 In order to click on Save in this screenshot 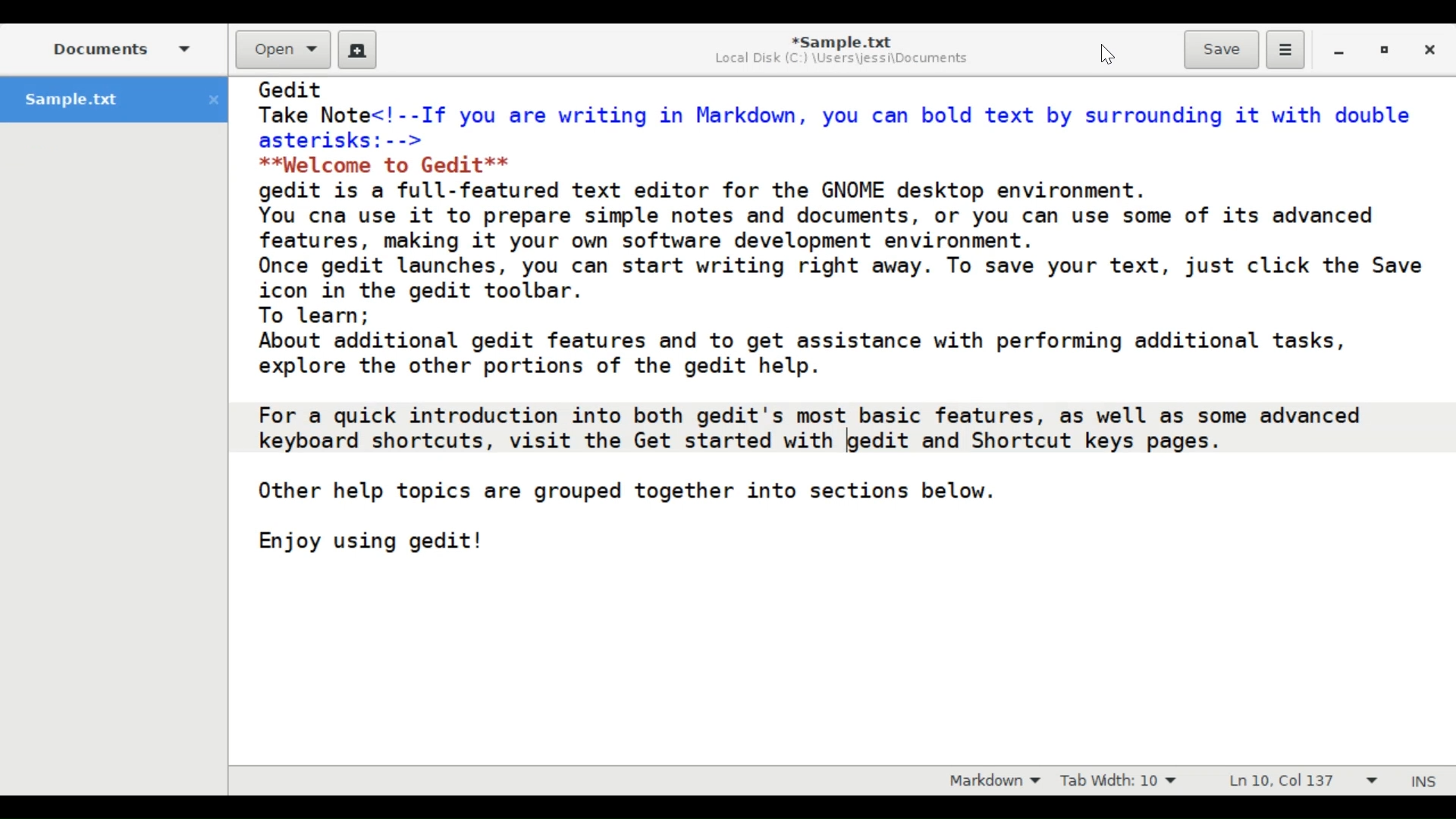, I will do `click(1222, 50)`.